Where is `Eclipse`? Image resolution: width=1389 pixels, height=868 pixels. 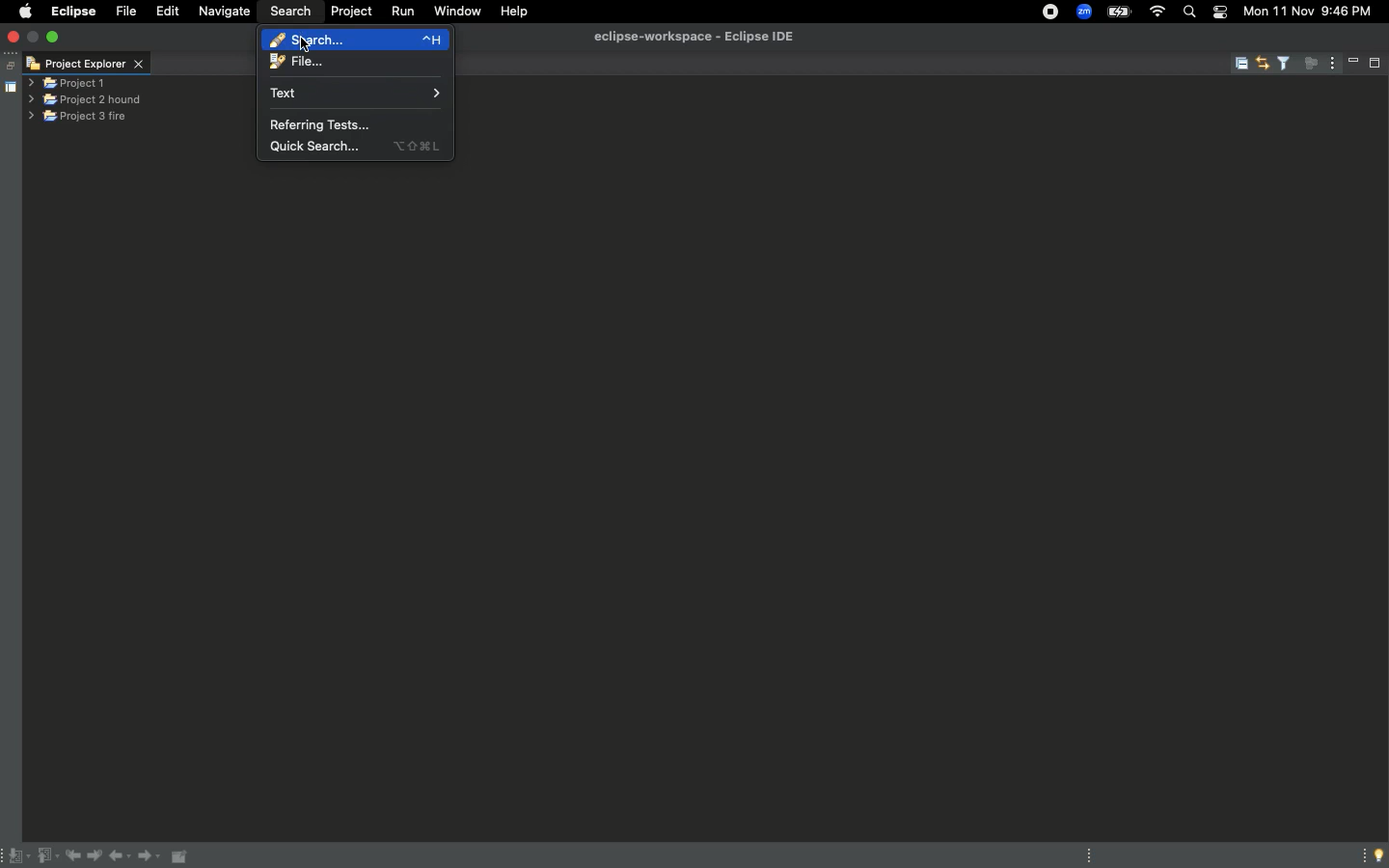
Eclipse is located at coordinates (72, 11).